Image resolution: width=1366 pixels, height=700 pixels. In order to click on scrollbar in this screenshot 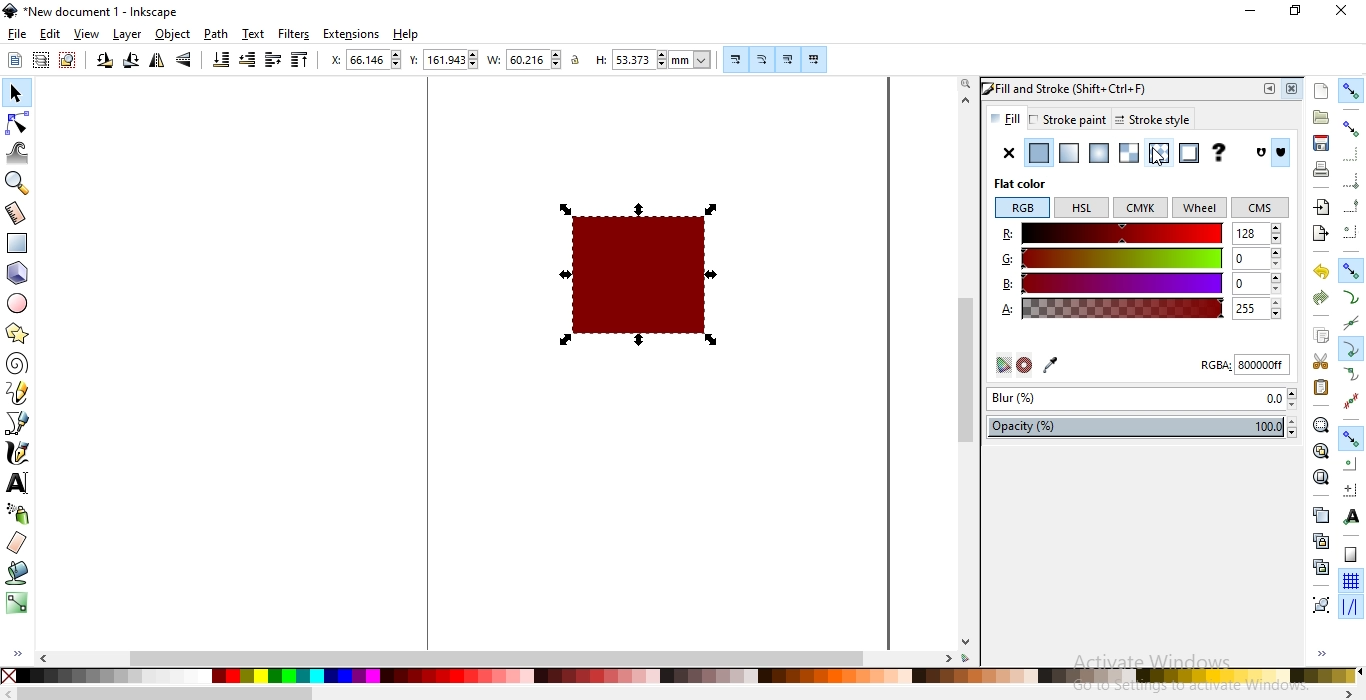, I will do `click(966, 366)`.